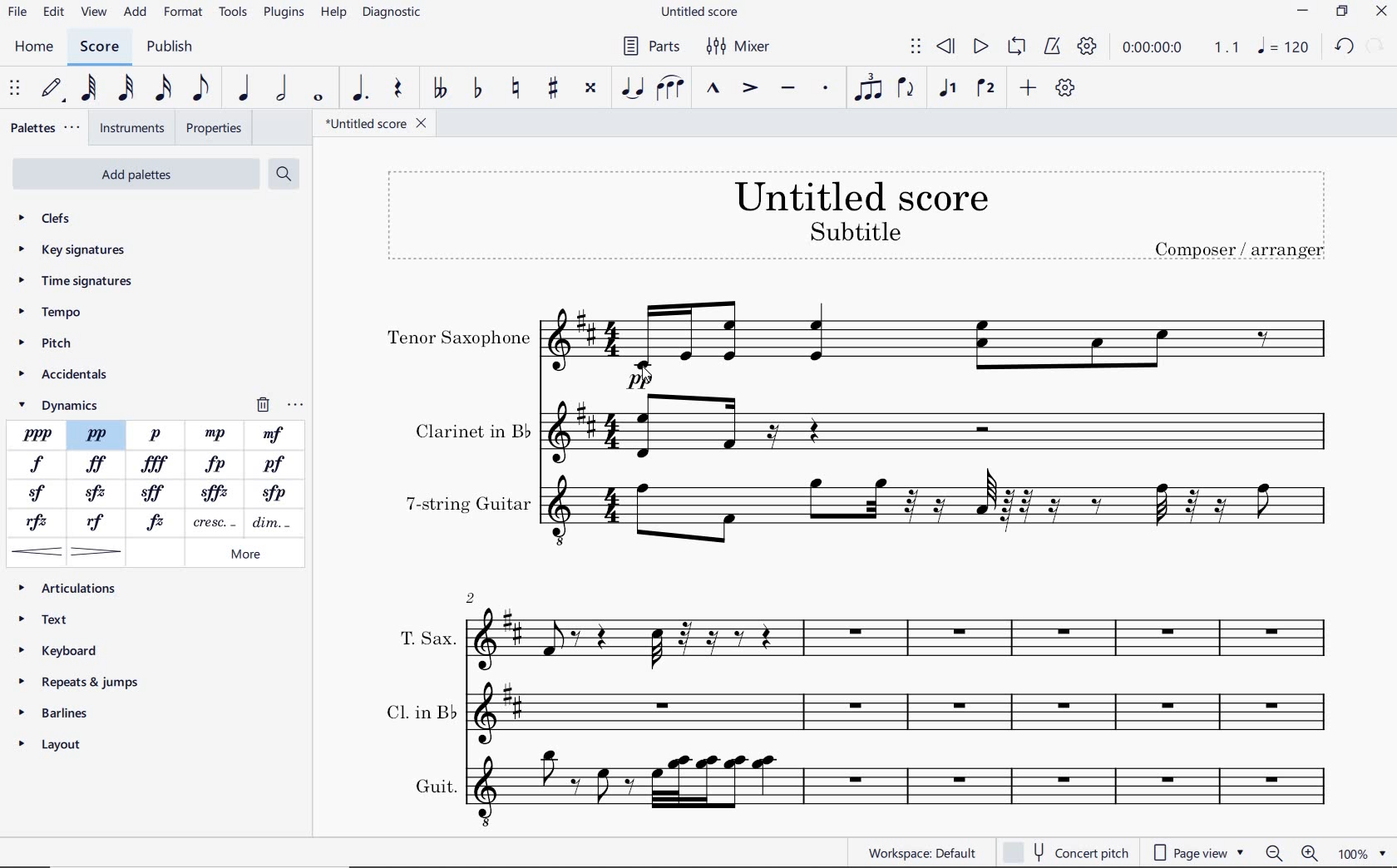 This screenshot has height=868, width=1397. Describe the element at coordinates (988, 88) in the screenshot. I see `VOICE 2` at that location.